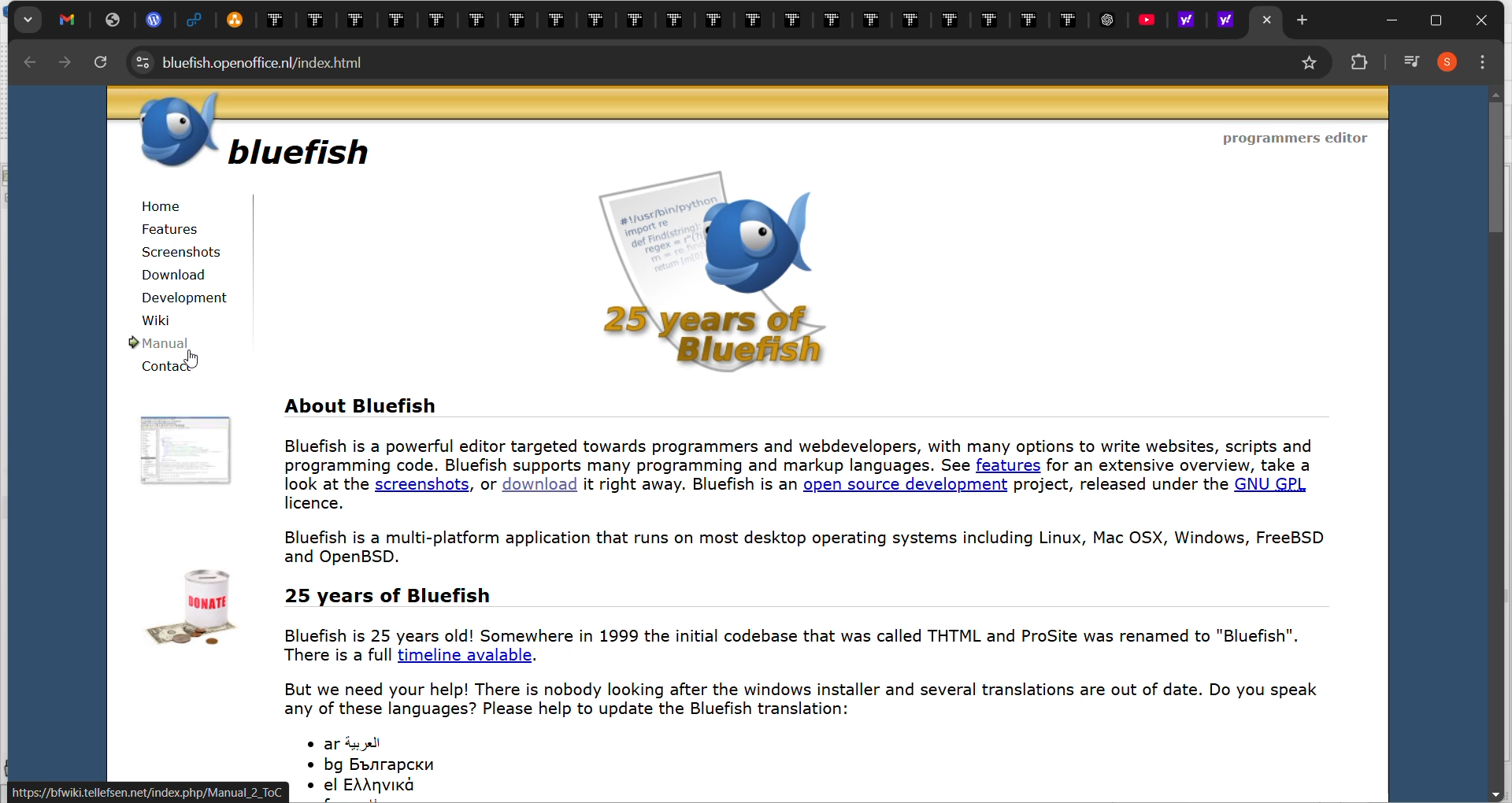  What do you see at coordinates (1414, 65) in the screenshot?
I see `songs` at bounding box center [1414, 65].